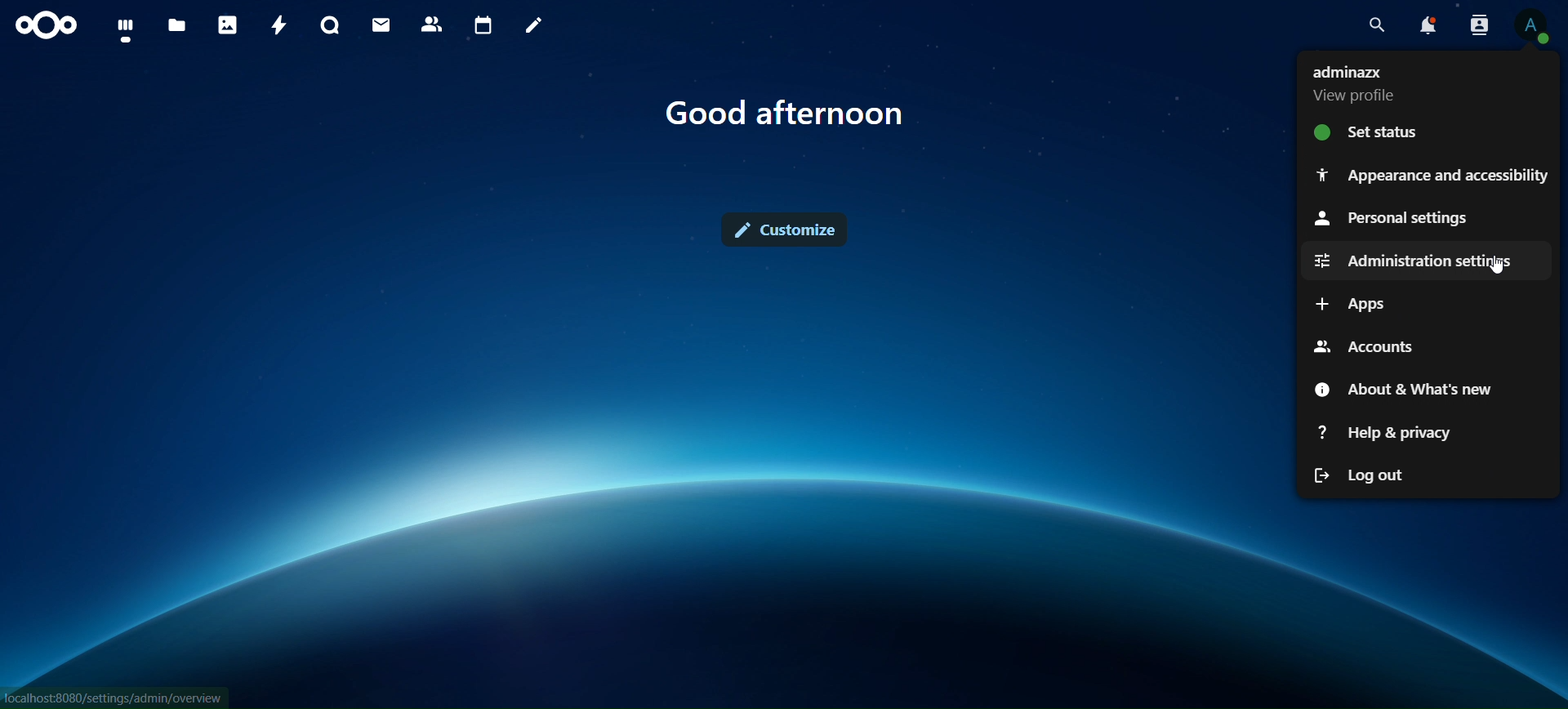 The image size is (1568, 709). Describe the element at coordinates (1379, 25) in the screenshot. I see `search` at that location.